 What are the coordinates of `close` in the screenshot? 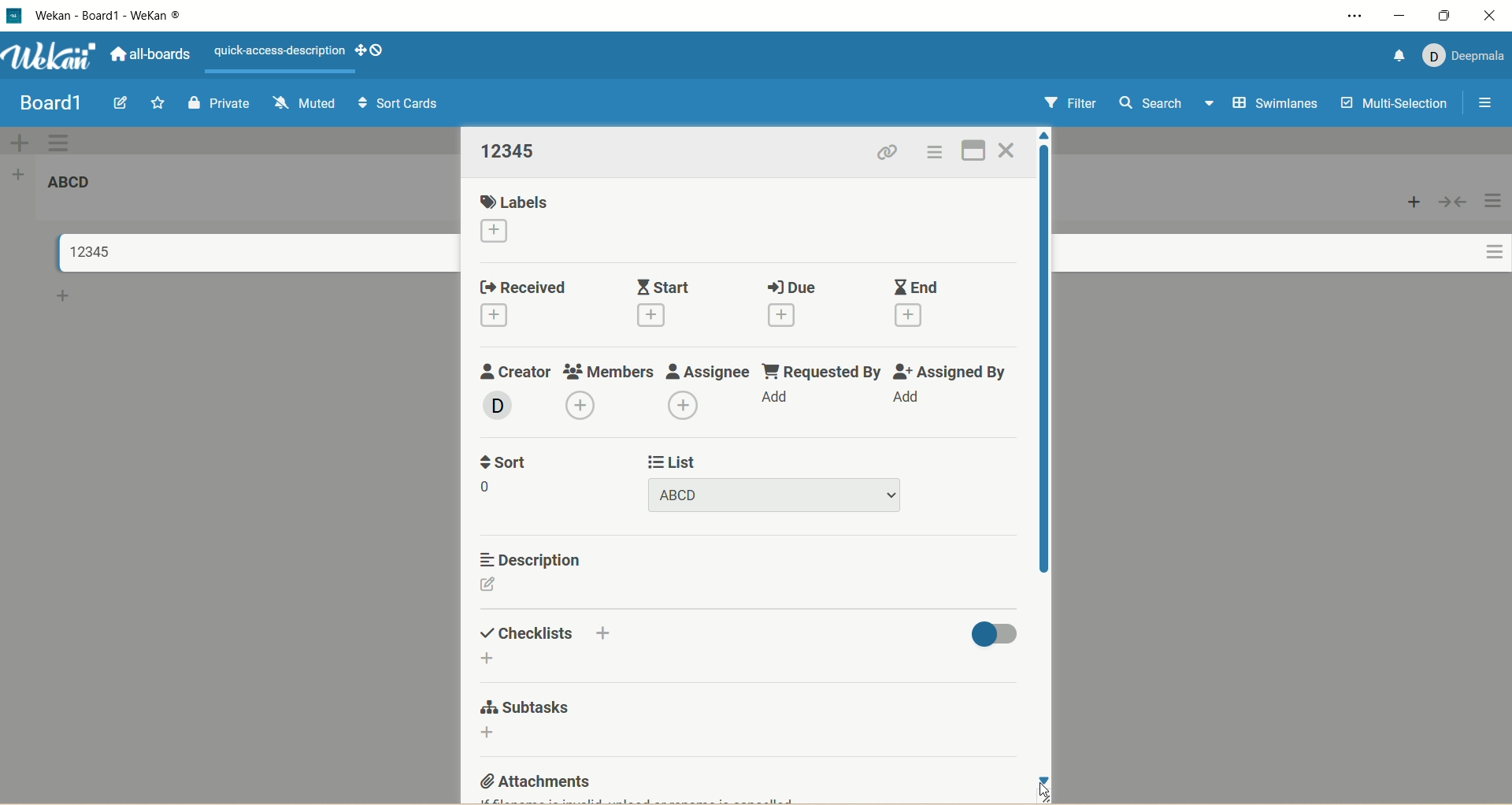 It's located at (1490, 15).